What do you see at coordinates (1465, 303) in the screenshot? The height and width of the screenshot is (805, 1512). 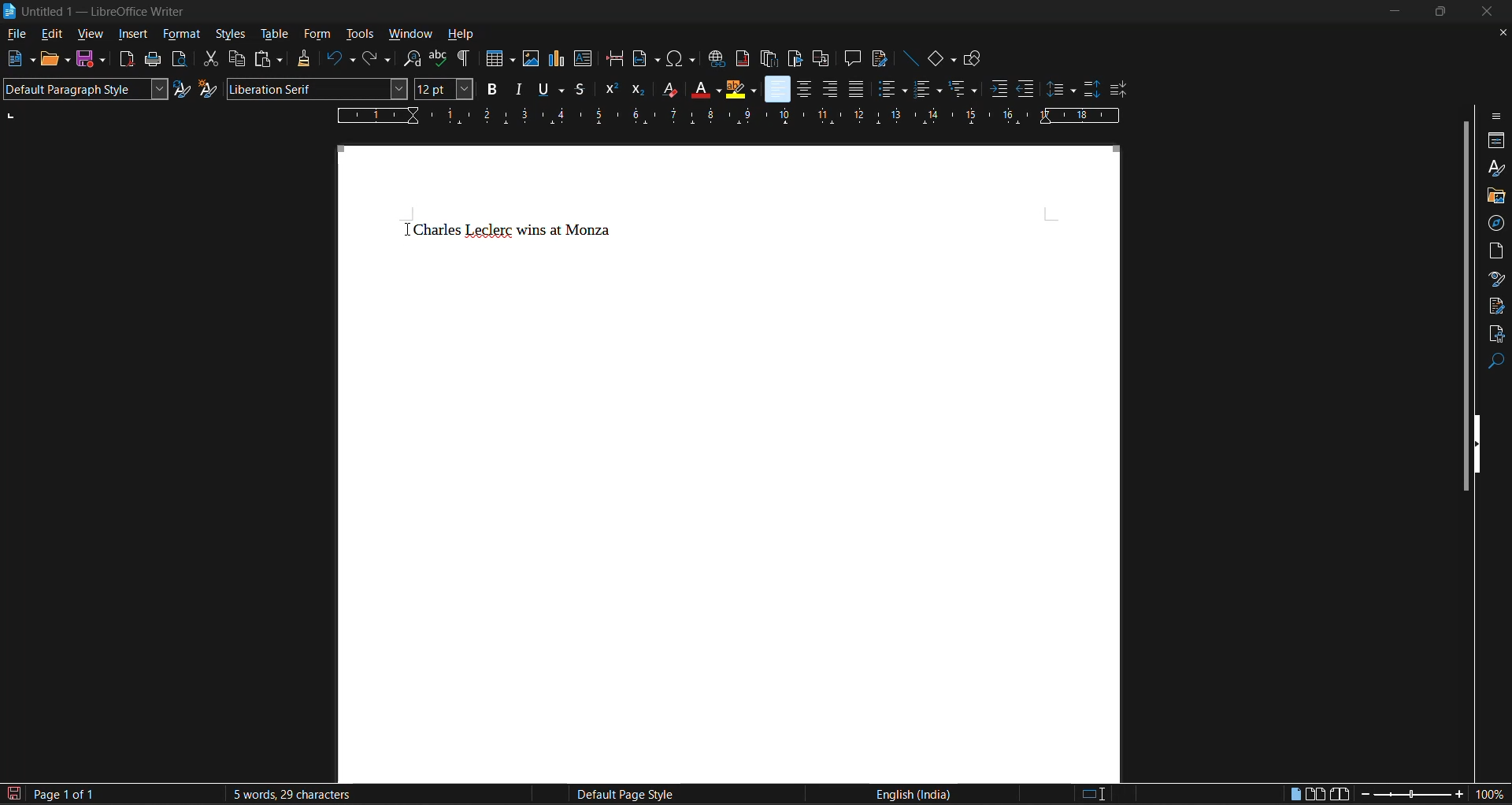 I see `vertical slide bar` at bounding box center [1465, 303].